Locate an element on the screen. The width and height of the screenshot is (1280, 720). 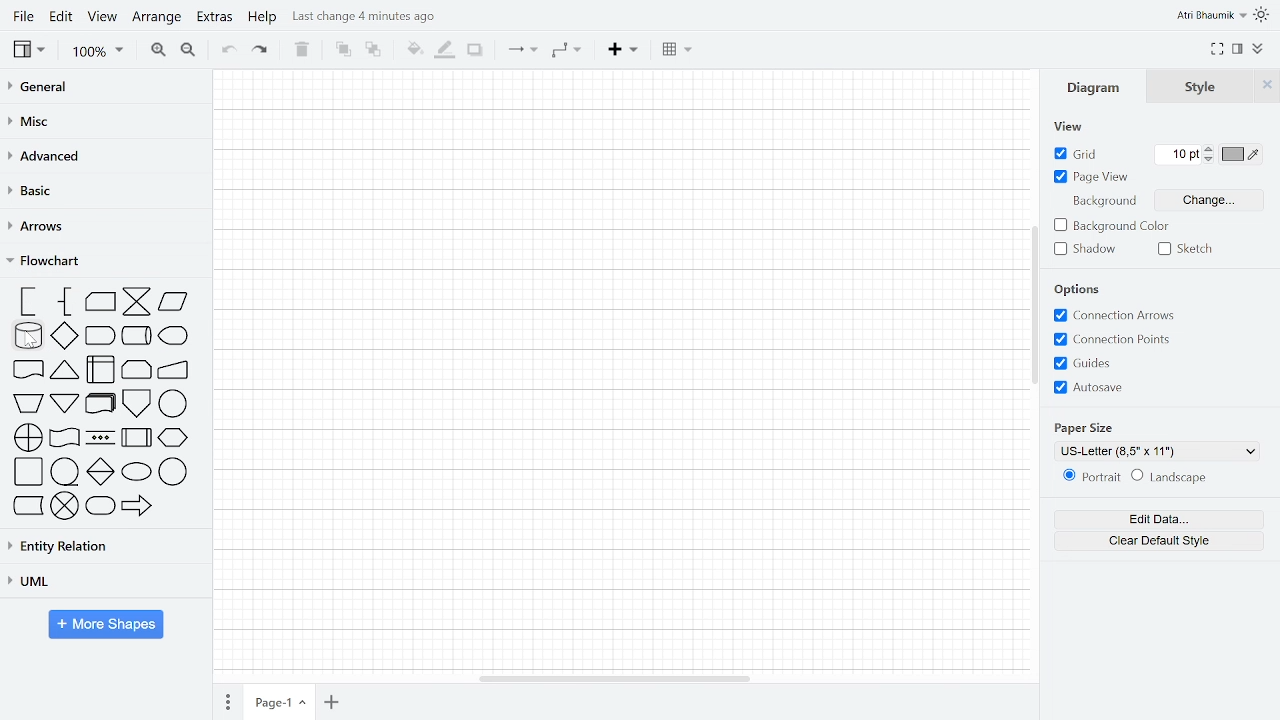
Page view is located at coordinates (1092, 177).